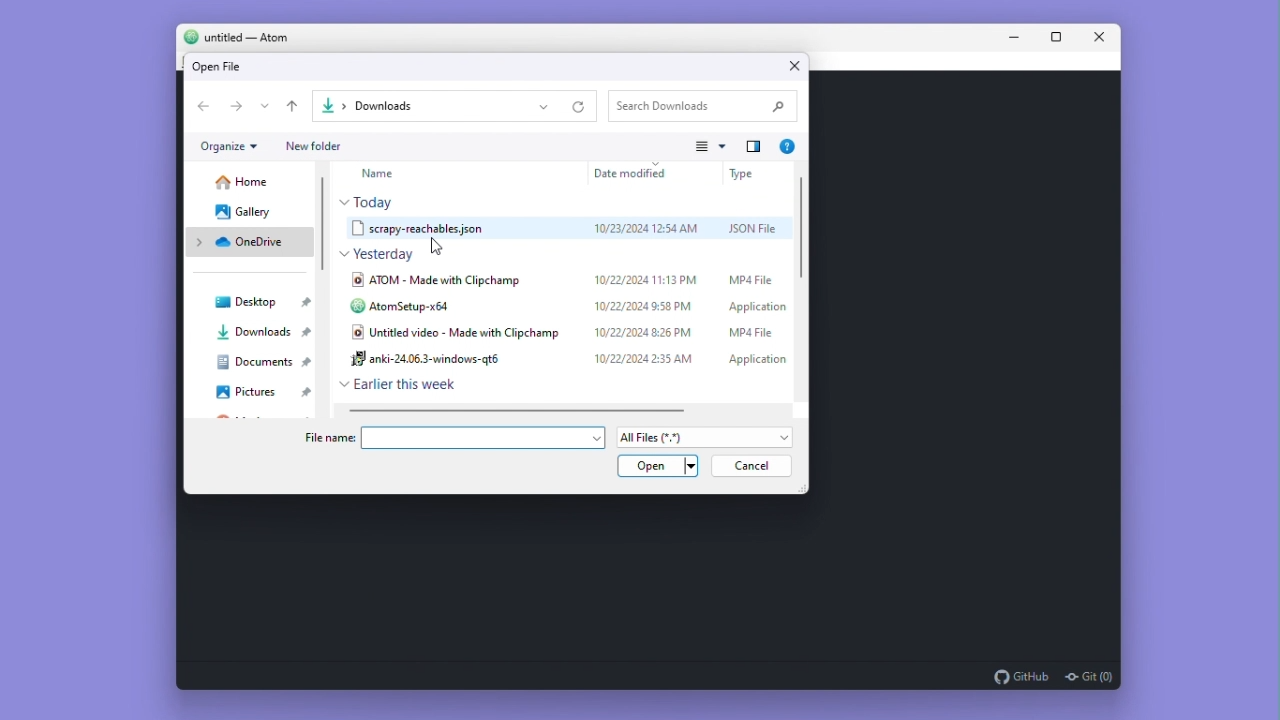 This screenshot has height=720, width=1280. I want to click on Close, so click(1094, 38).